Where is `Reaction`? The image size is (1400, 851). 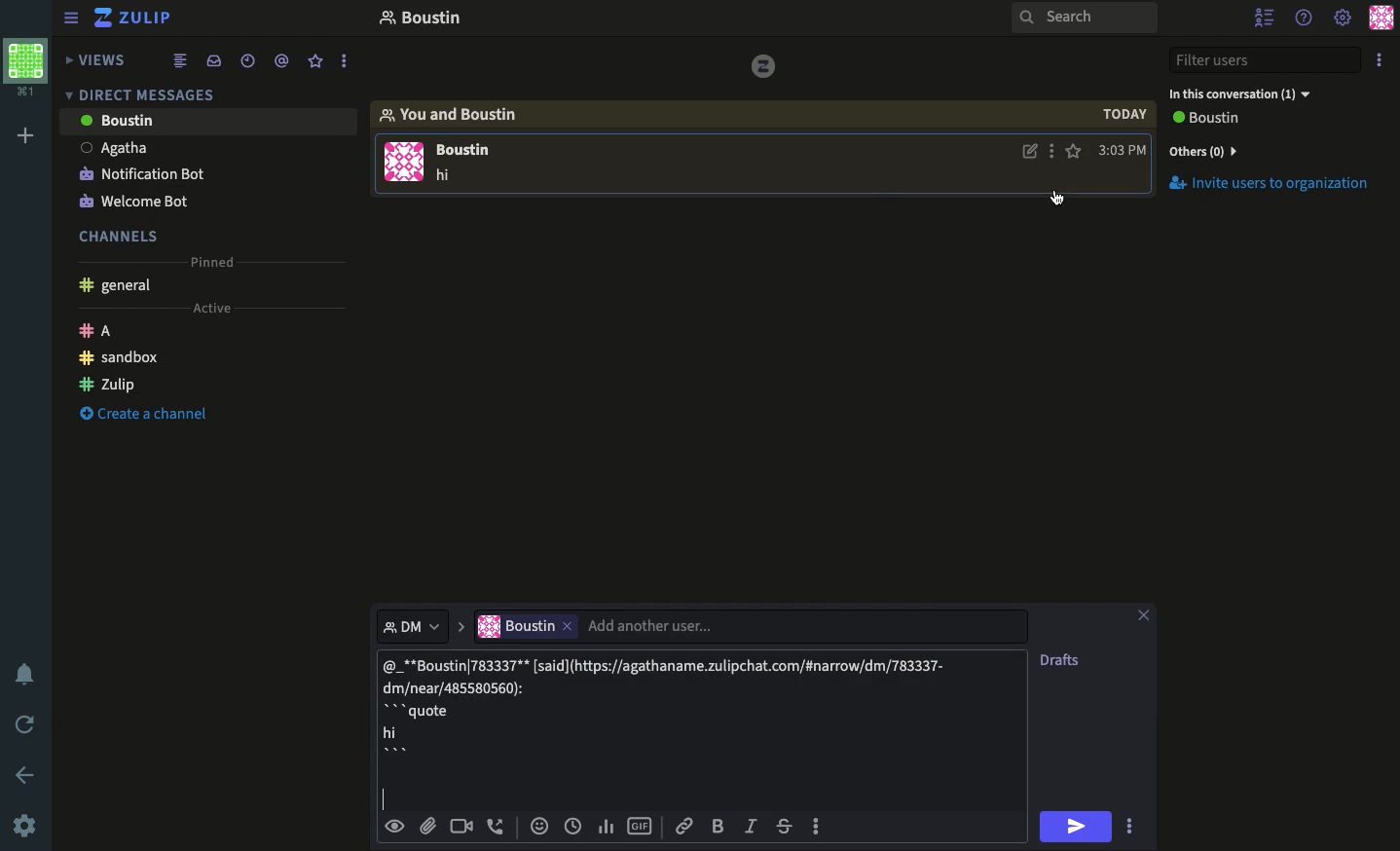
Reaction is located at coordinates (539, 828).